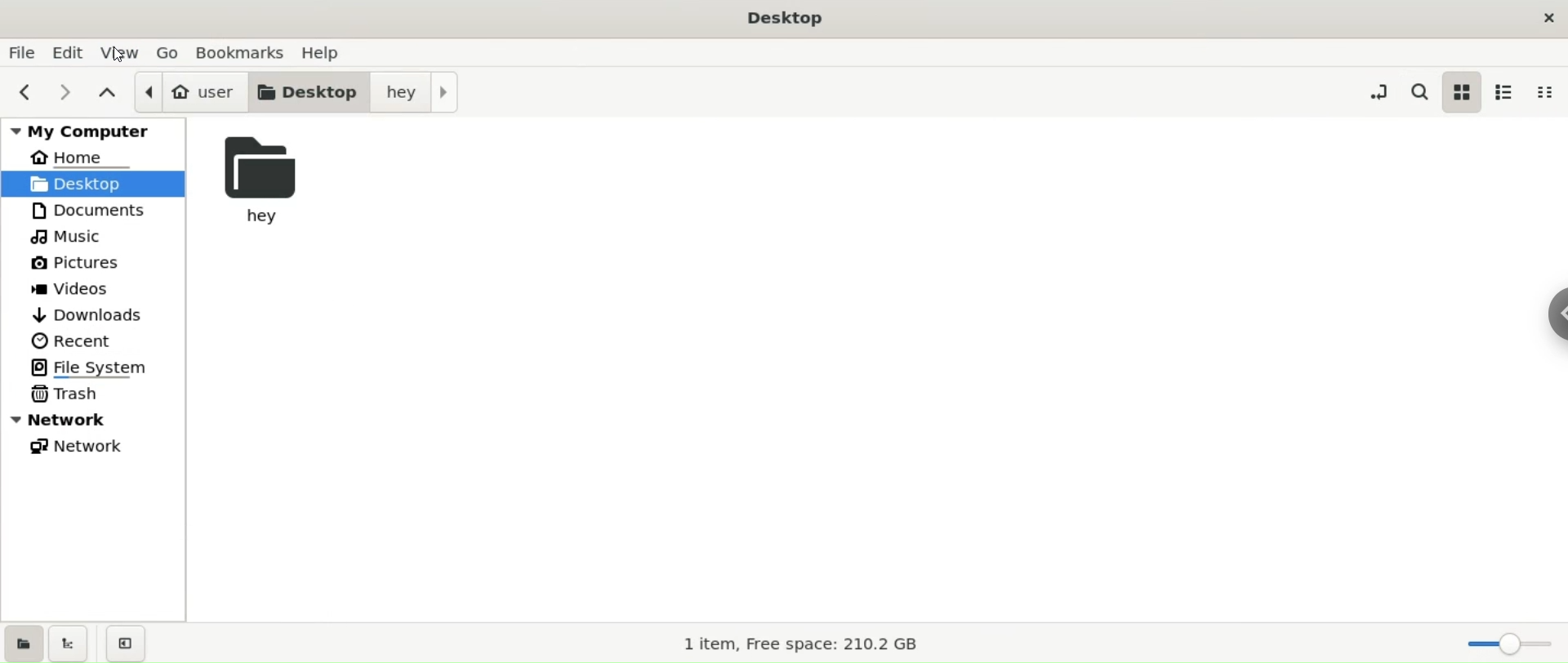 The width and height of the screenshot is (1568, 663). What do you see at coordinates (104, 95) in the screenshot?
I see `parent folders` at bounding box center [104, 95].